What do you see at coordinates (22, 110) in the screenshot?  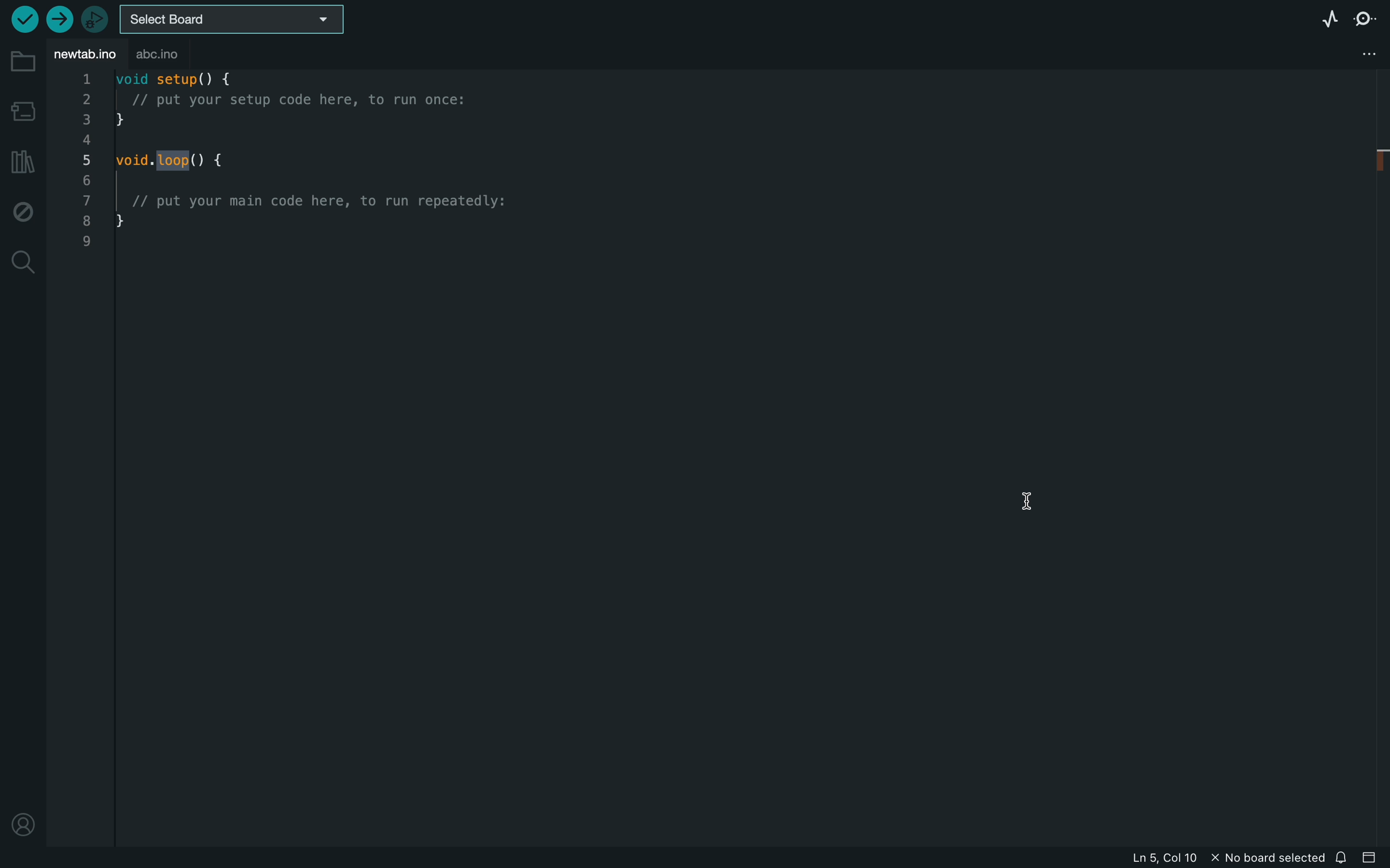 I see `board manager` at bounding box center [22, 110].